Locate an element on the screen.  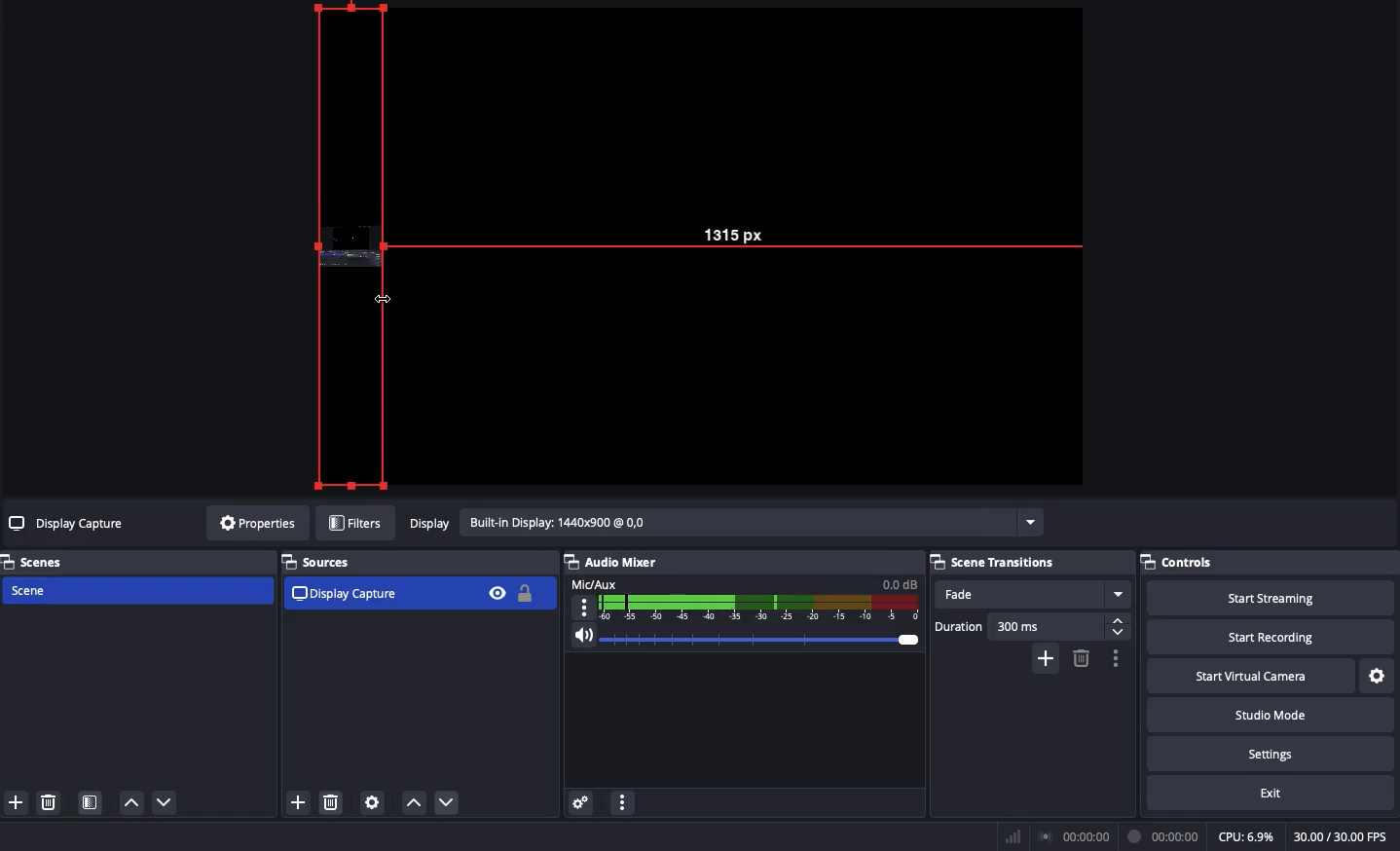
Display capture is located at coordinates (348, 593).